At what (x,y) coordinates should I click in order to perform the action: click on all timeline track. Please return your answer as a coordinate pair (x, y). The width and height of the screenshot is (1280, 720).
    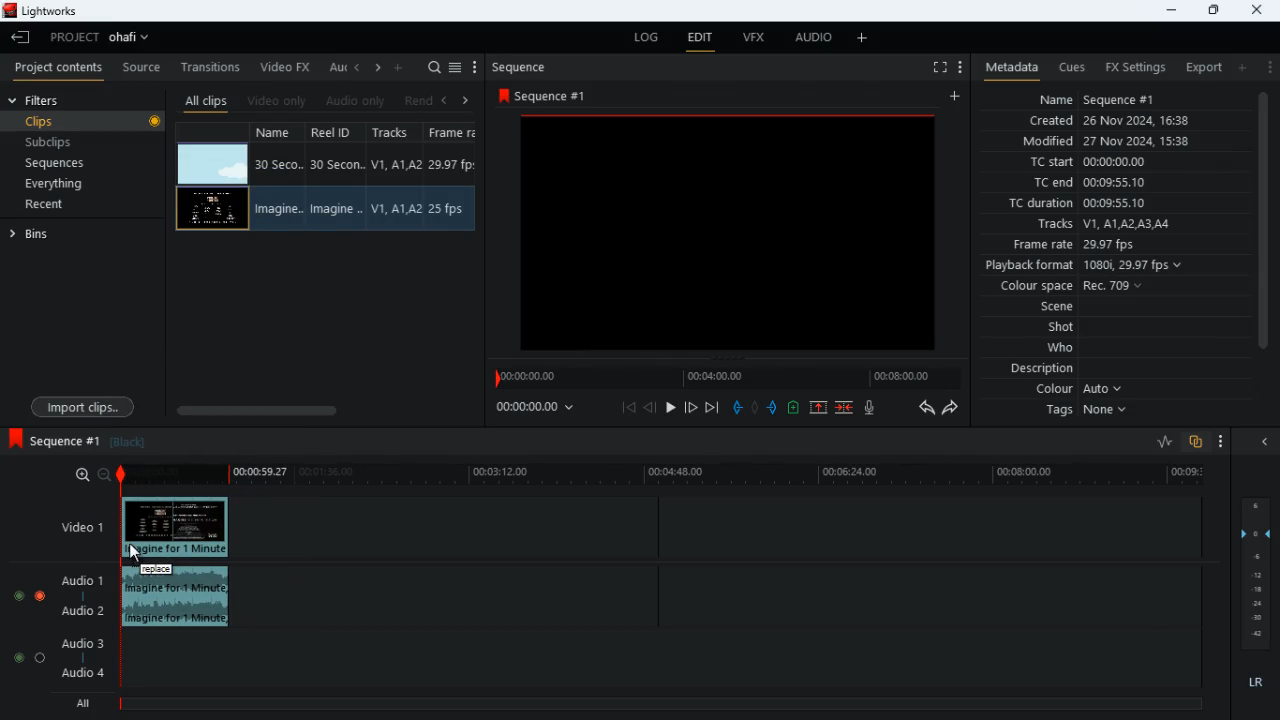
    Looking at the image, I should click on (665, 699).